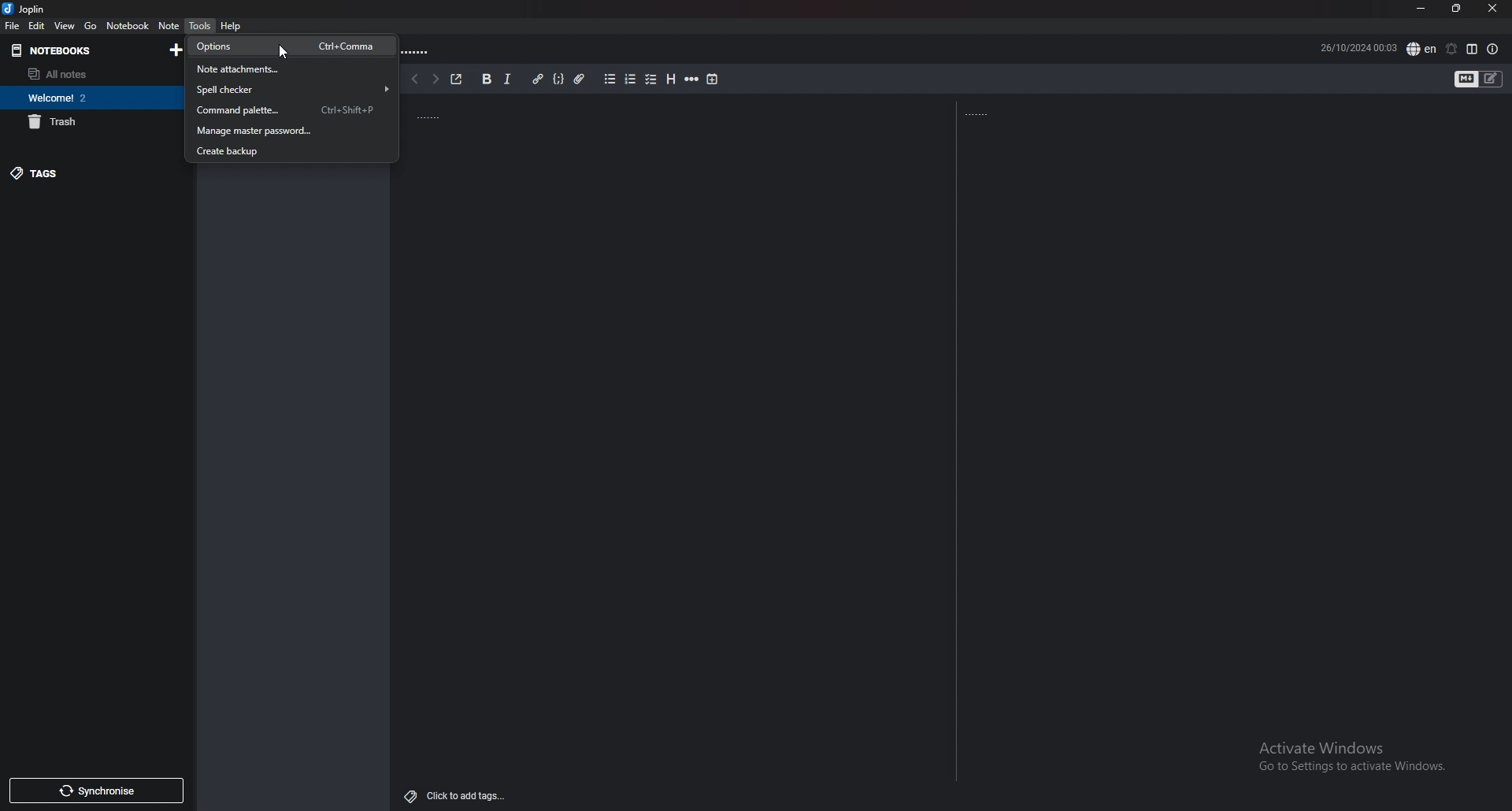 This screenshot has width=1512, height=811. What do you see at coordinates (979, 114) in the screenshot?
I see `` at bounding box center [979, 114].